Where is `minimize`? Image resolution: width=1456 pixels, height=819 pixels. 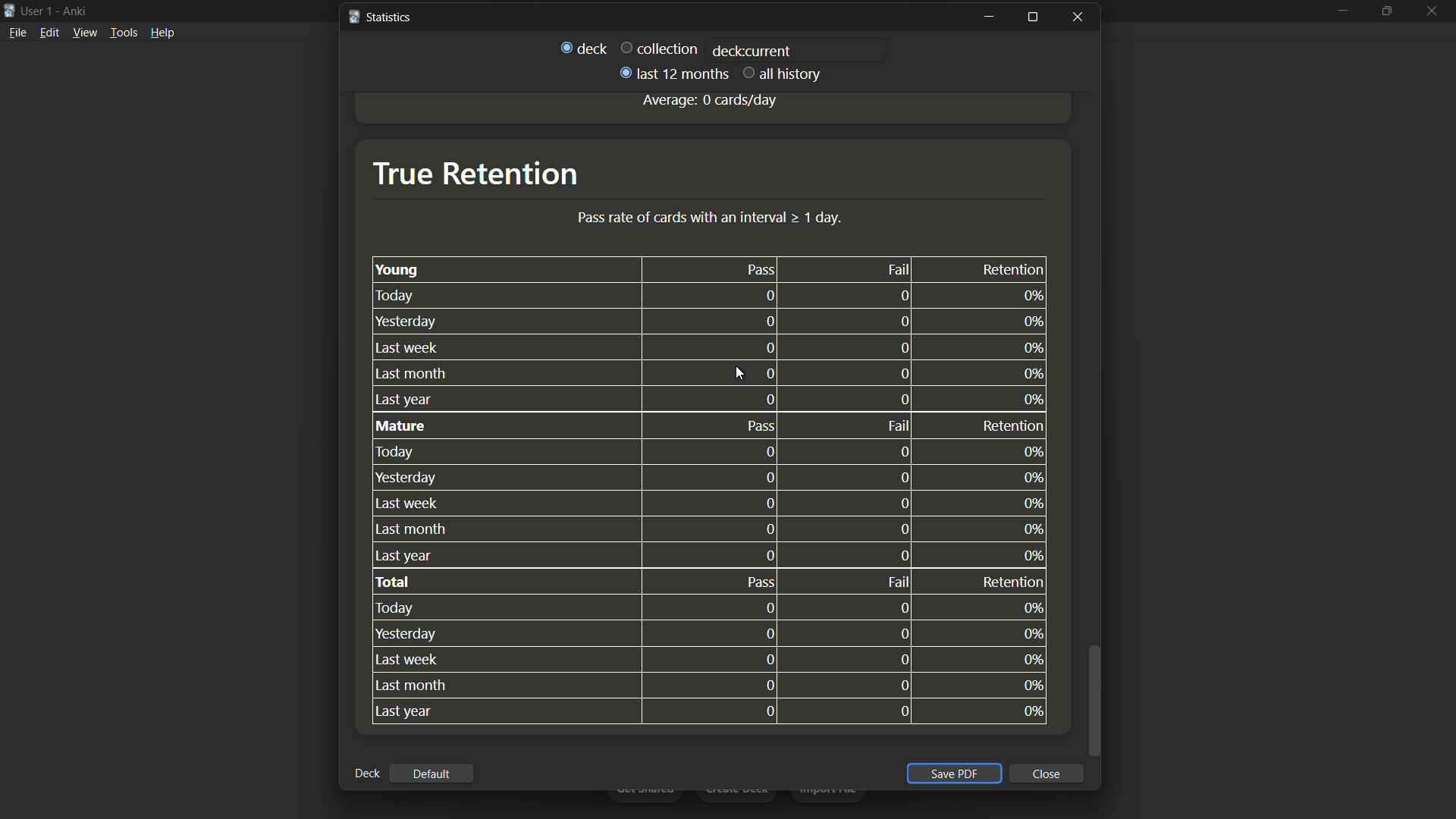
minimize is located at coordinates (1341, 12).